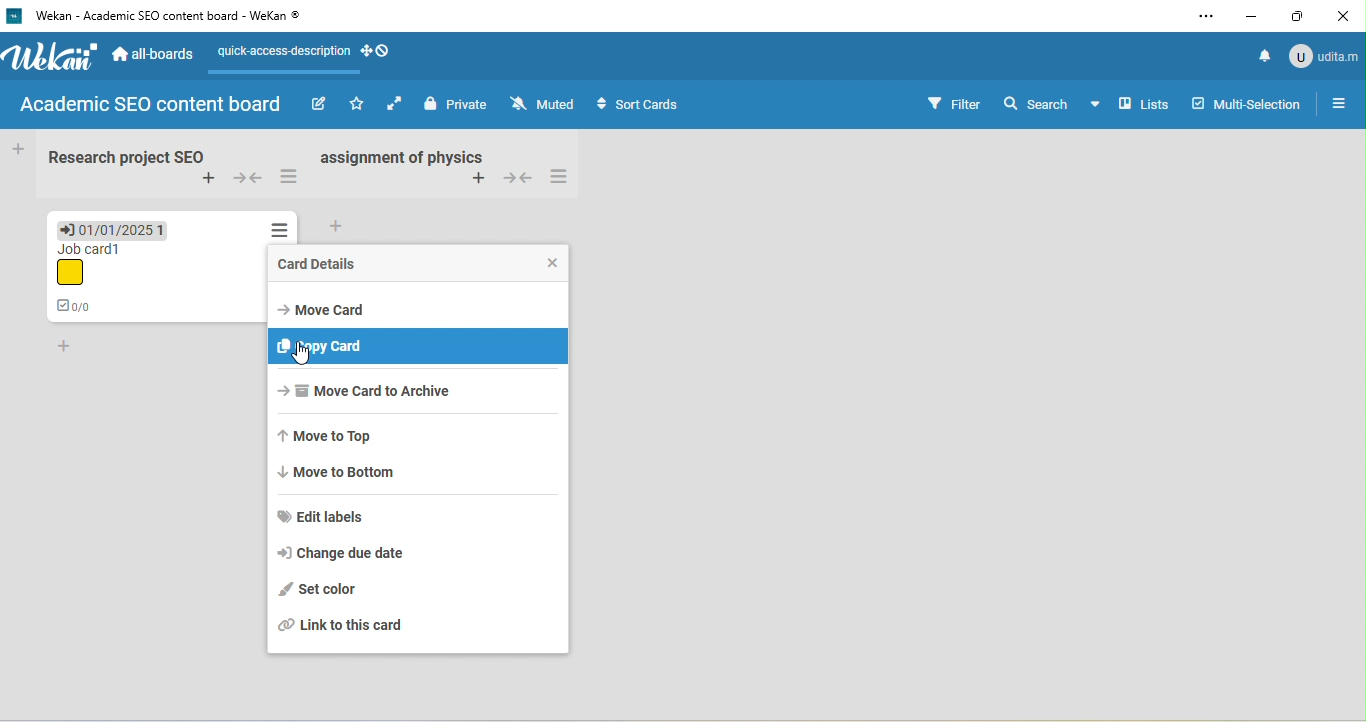  I want to click on filter, so click(953, 103).